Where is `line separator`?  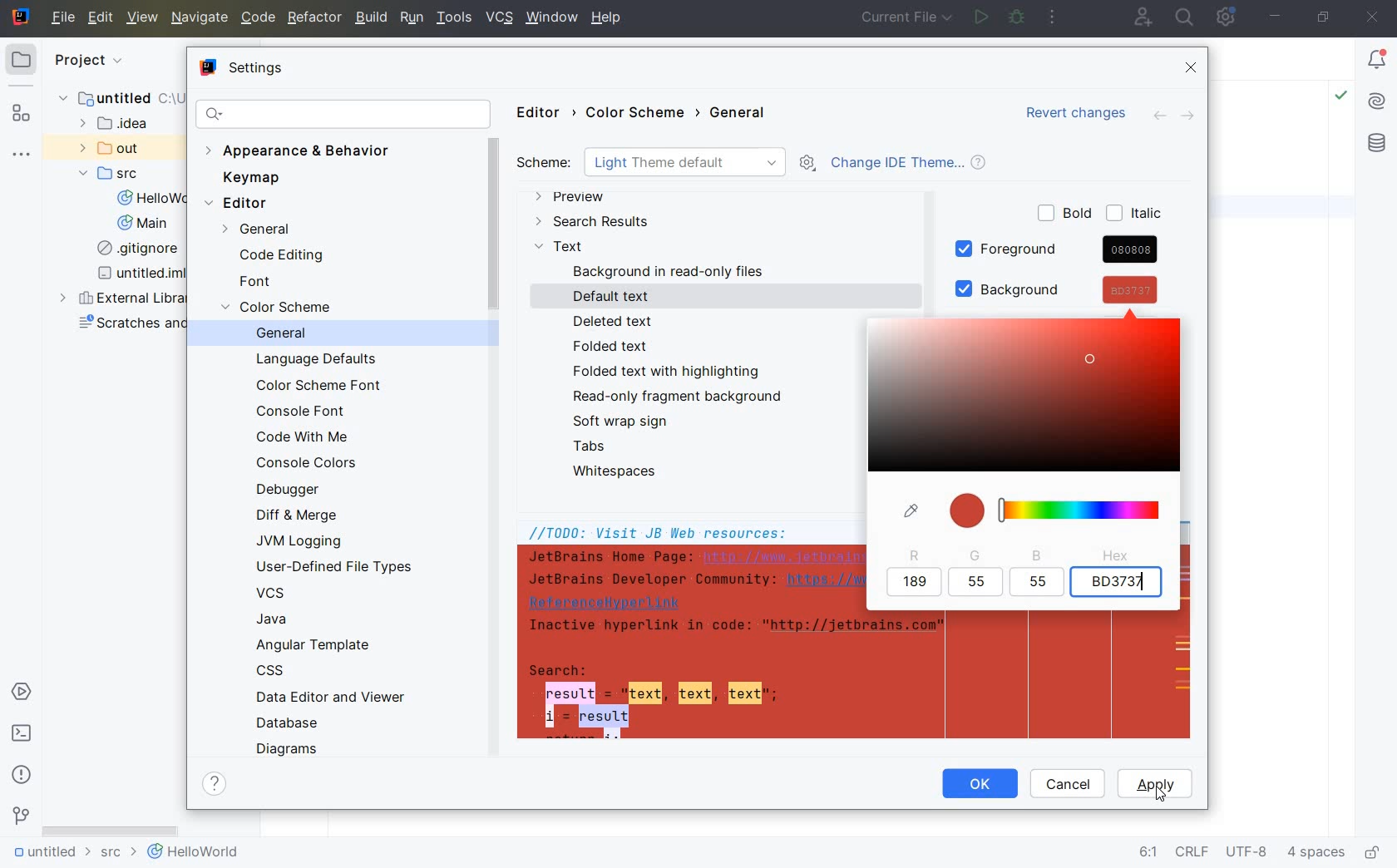
line separator is located at coordinates (1191, 854).